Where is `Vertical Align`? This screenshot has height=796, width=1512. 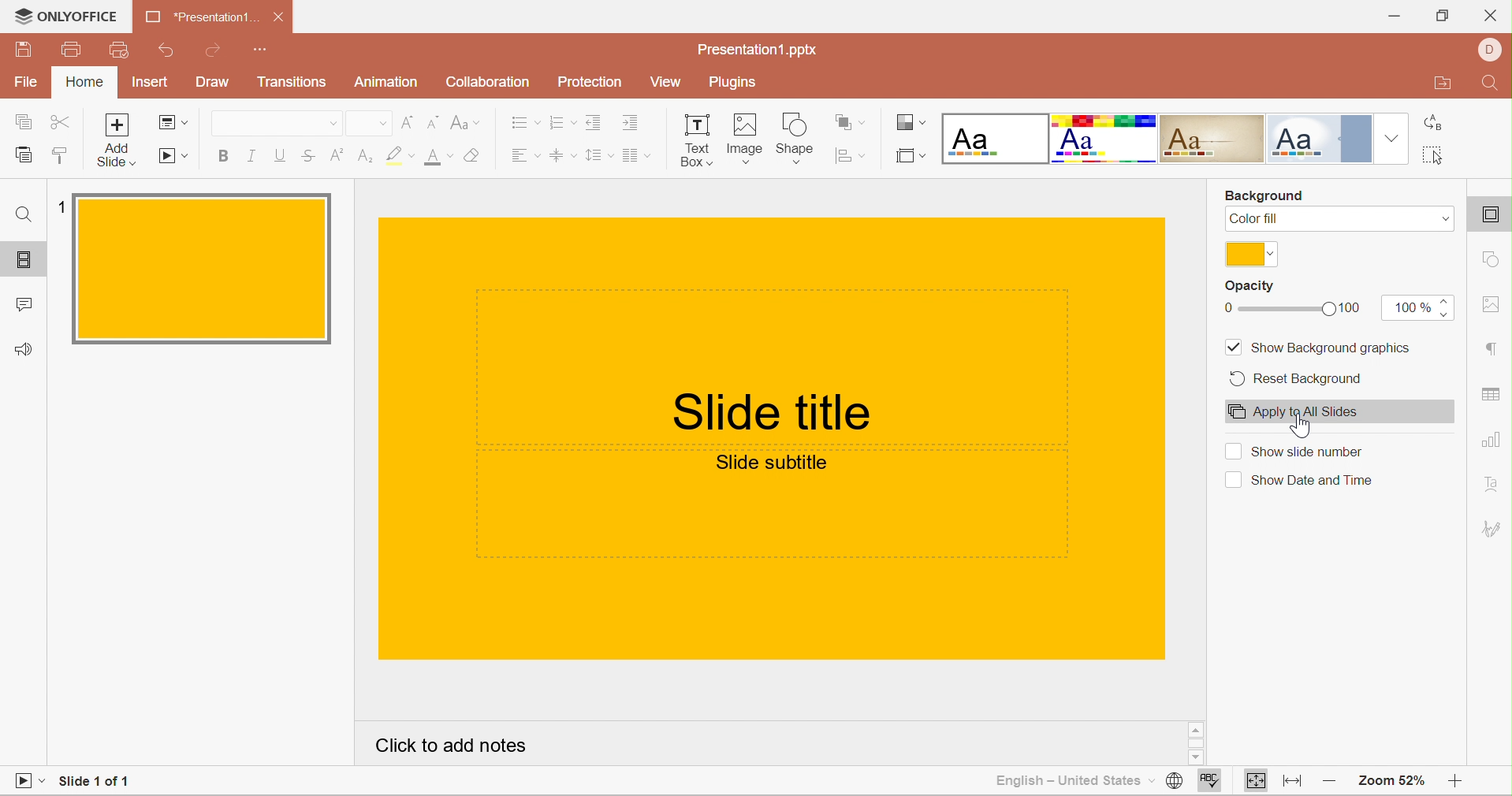 Vertical Align is located at coordinates (564, 158).